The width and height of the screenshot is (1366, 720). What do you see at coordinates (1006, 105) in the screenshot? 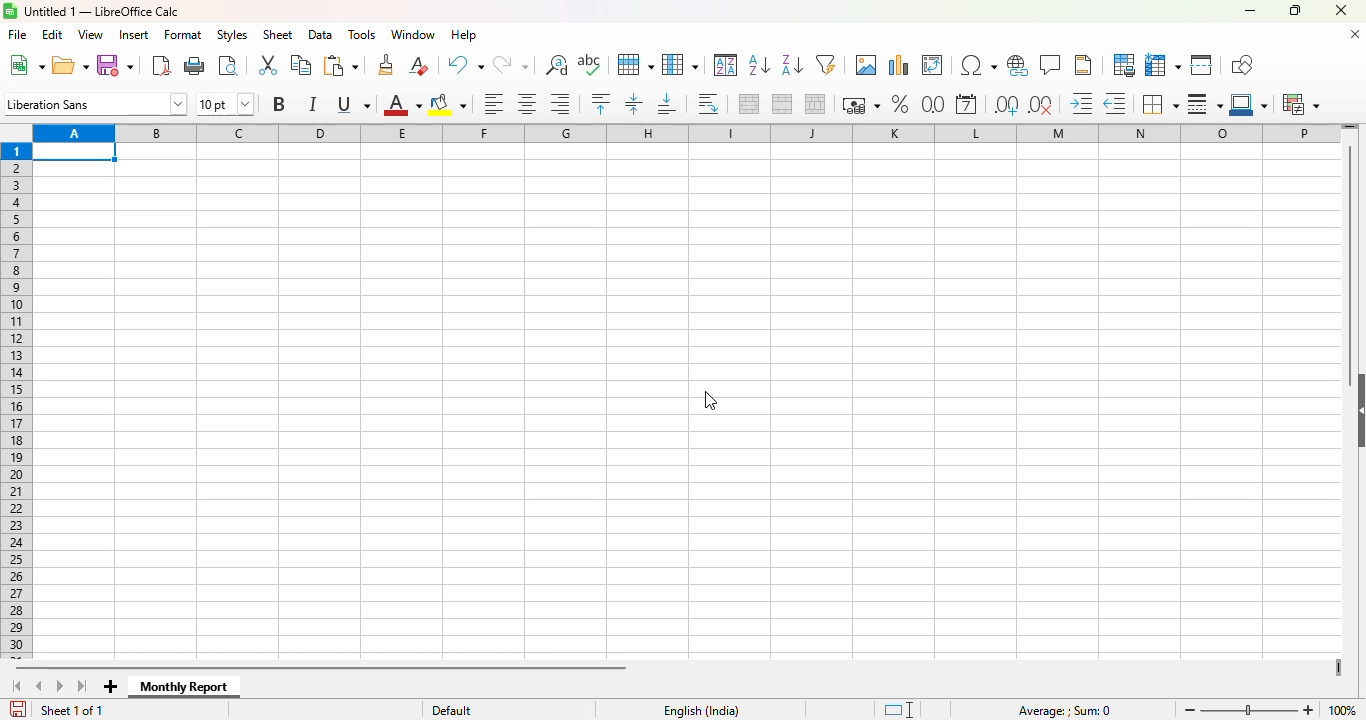
I see `add decimal place` at bounding box center [1006, 105].